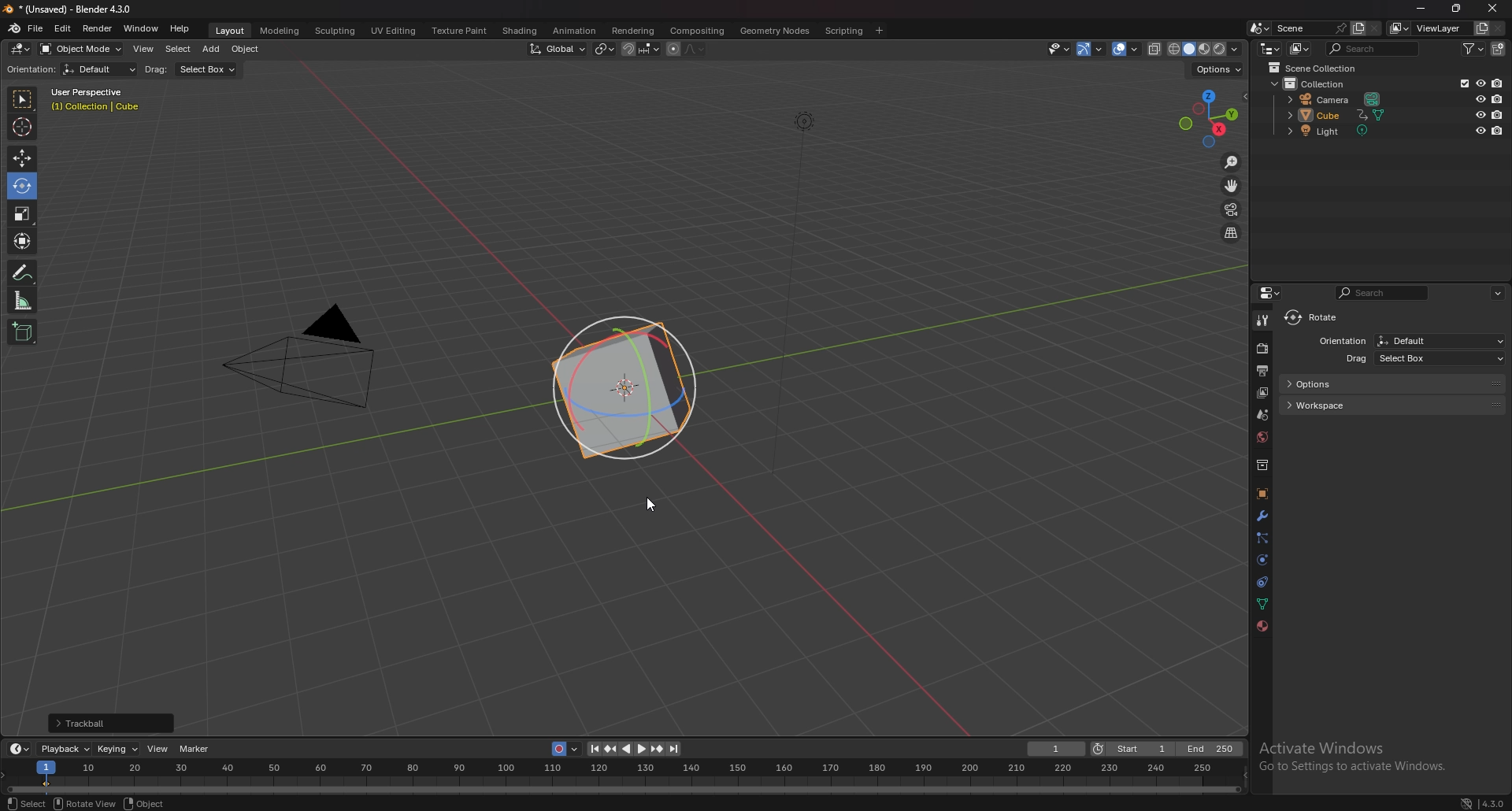  What do you see at coordinates (24, 272) in the screenshot?
I see `annotate` at bounding box center [24, 272].